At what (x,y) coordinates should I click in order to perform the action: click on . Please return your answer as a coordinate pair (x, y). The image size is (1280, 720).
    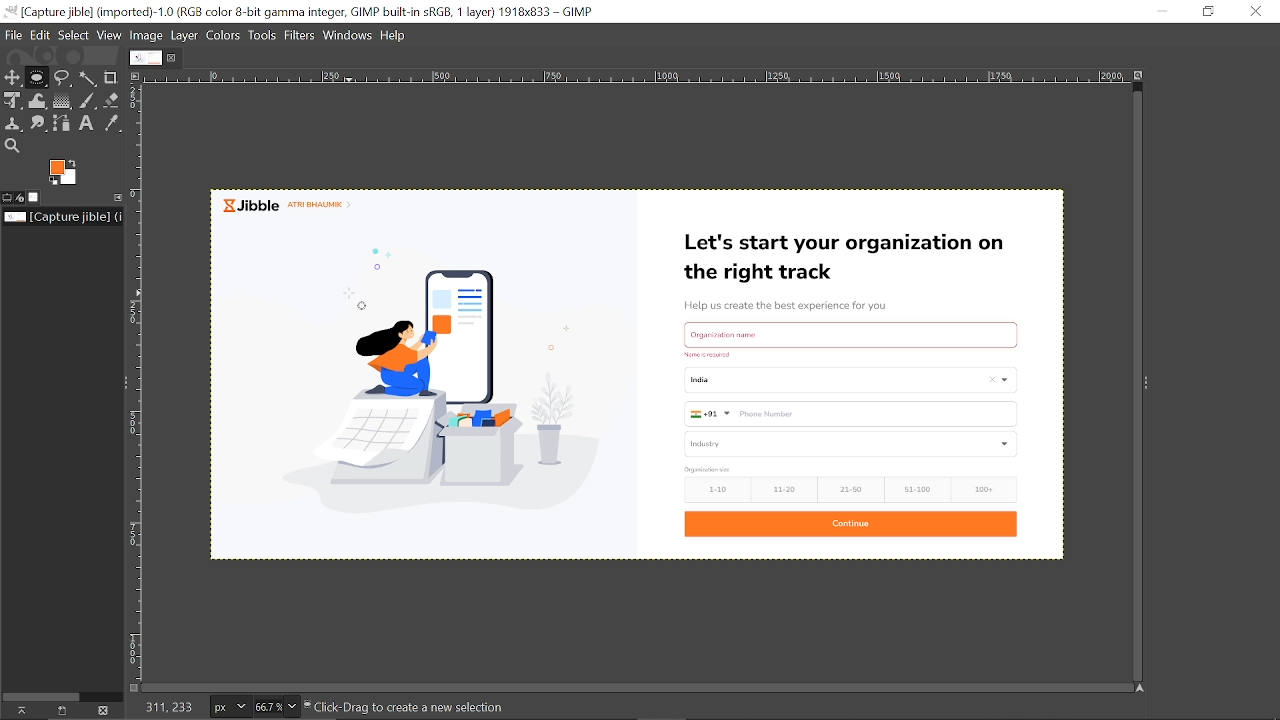
    Looking at the image, I should click on (112, 35).